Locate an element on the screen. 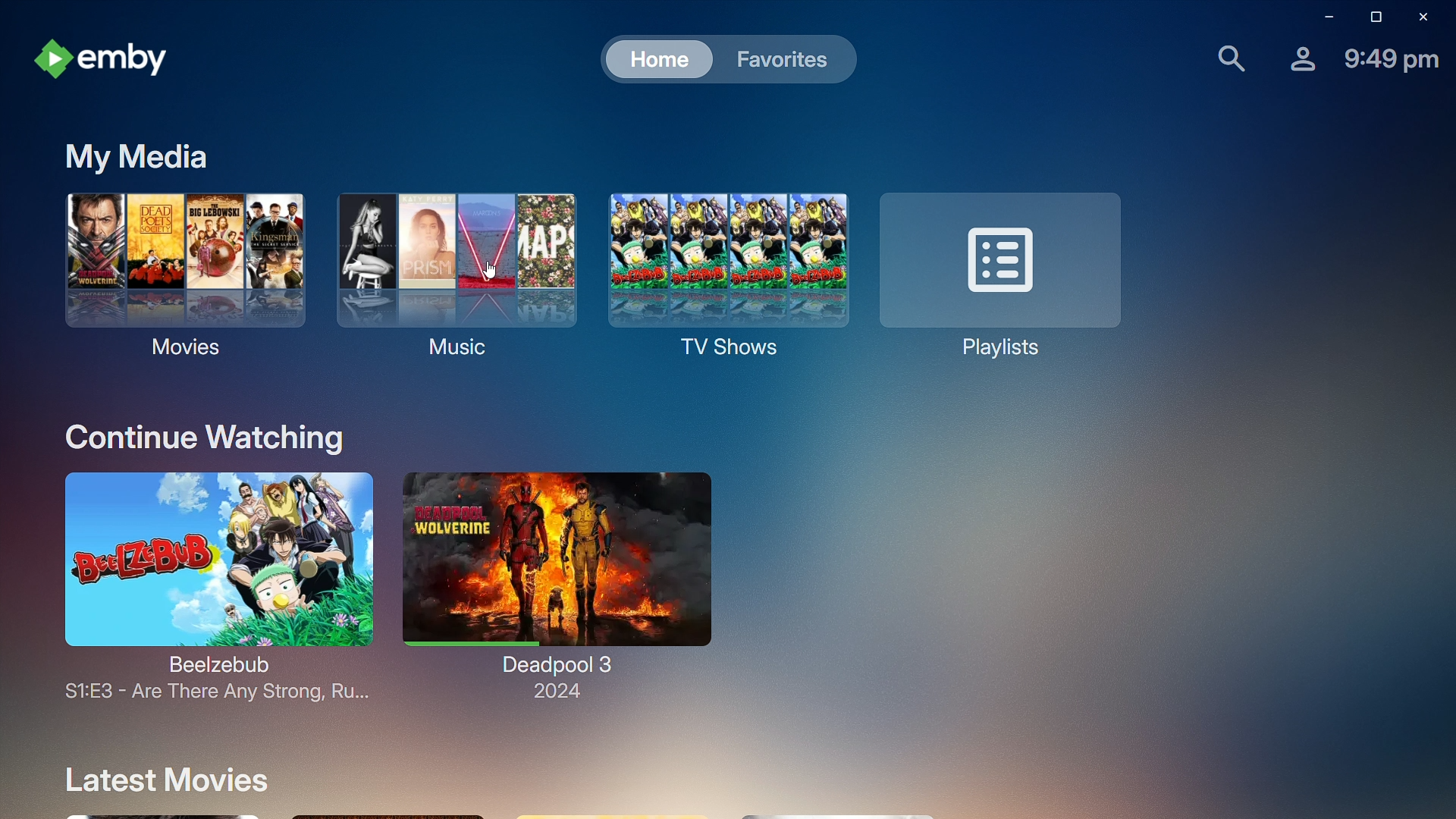 The width and height of the screenshot is (1456, 819). Beelzebub is located at coordinates (202, 585).